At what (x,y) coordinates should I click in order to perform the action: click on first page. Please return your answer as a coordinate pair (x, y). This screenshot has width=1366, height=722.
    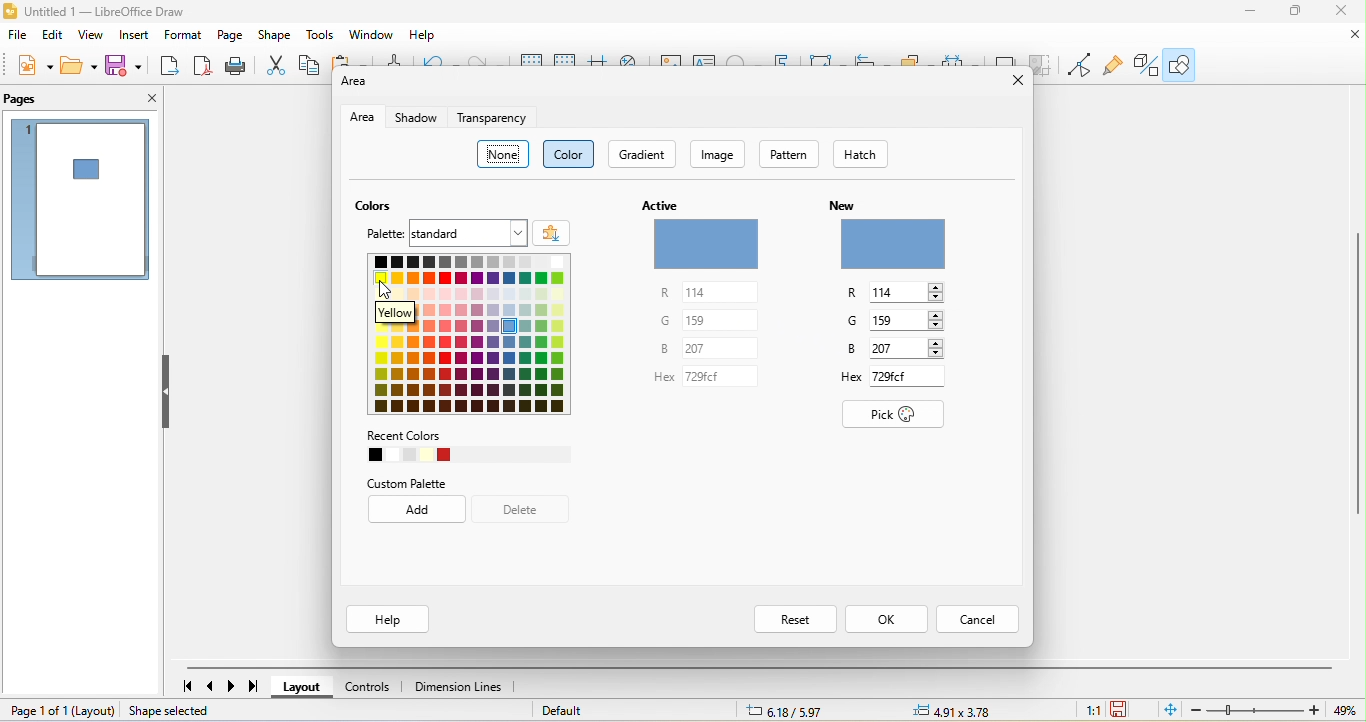
    Looking at the image, I should click on (181, 687).